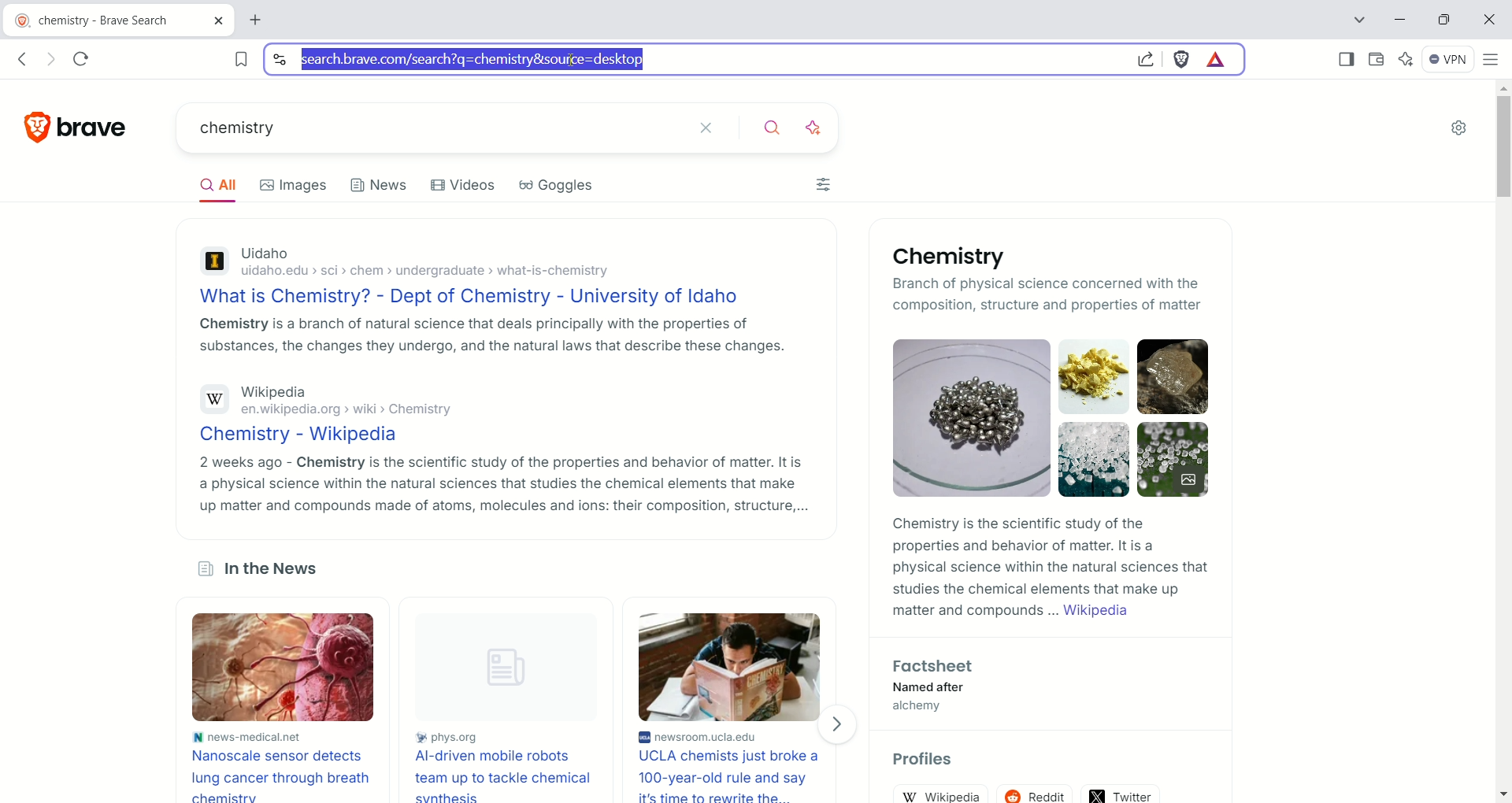 This screenshot has width=1512, height=803. What do you see at coordinates (463, 185) in the screenshot?
I see `Videos` at bounding box center [463, 185].